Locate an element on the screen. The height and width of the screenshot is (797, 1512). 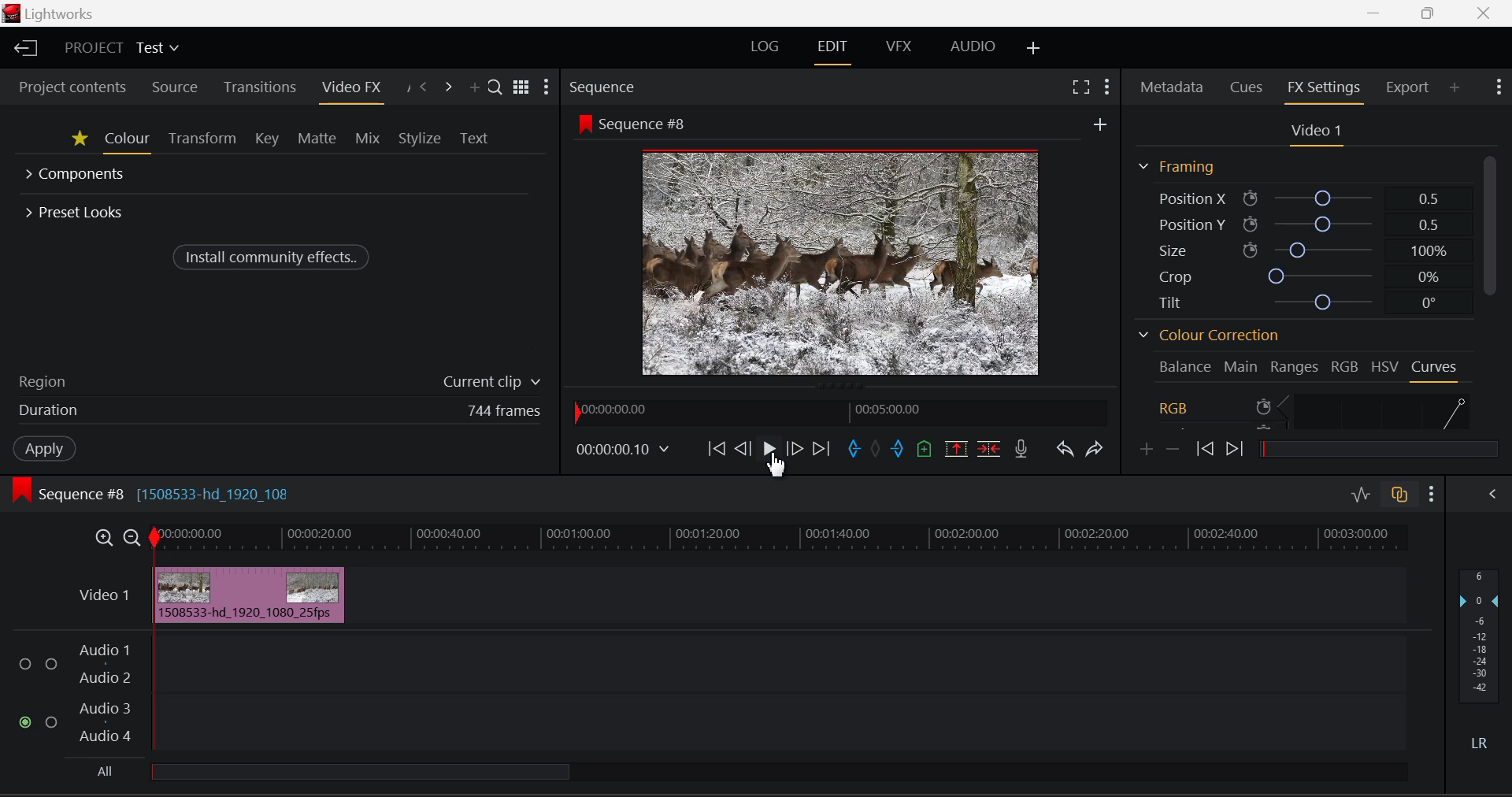
Back to Homepage is located at coordinates (23, 48).